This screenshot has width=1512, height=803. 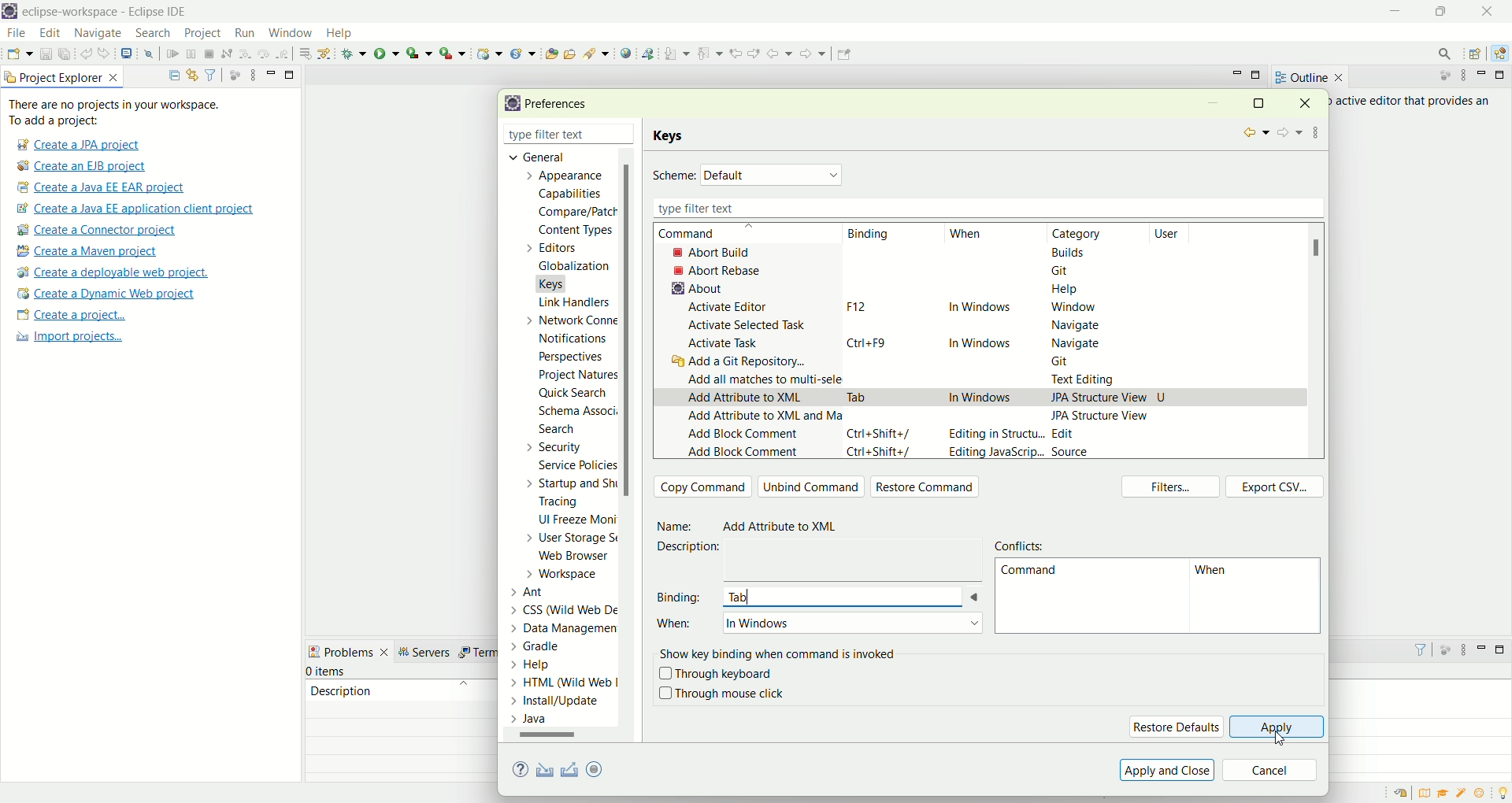 What do you see at coordinates (626, 54) in the screenshot?
I see `open web browser` at bounding box center [626, 54].